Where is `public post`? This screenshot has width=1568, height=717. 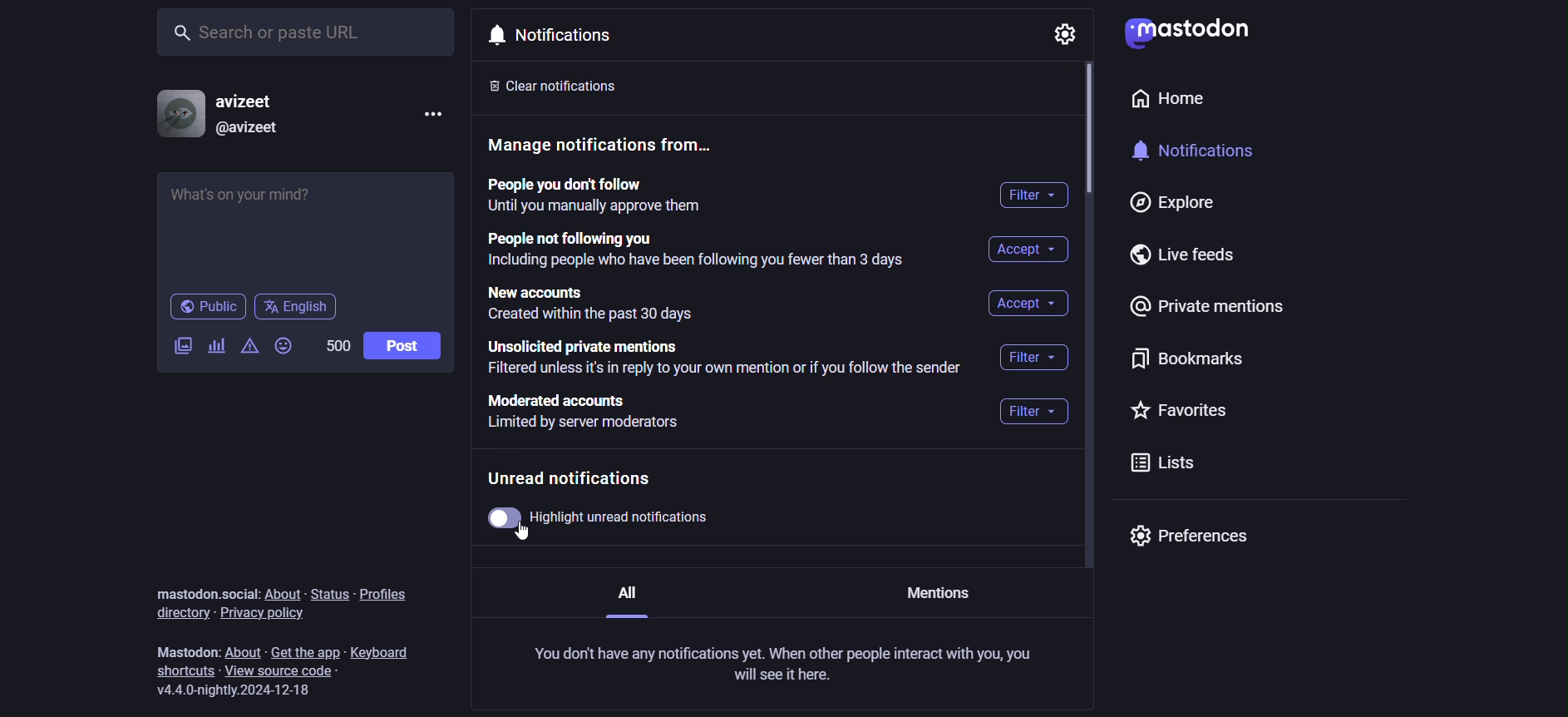 public post is located at coordinates (207, 308).